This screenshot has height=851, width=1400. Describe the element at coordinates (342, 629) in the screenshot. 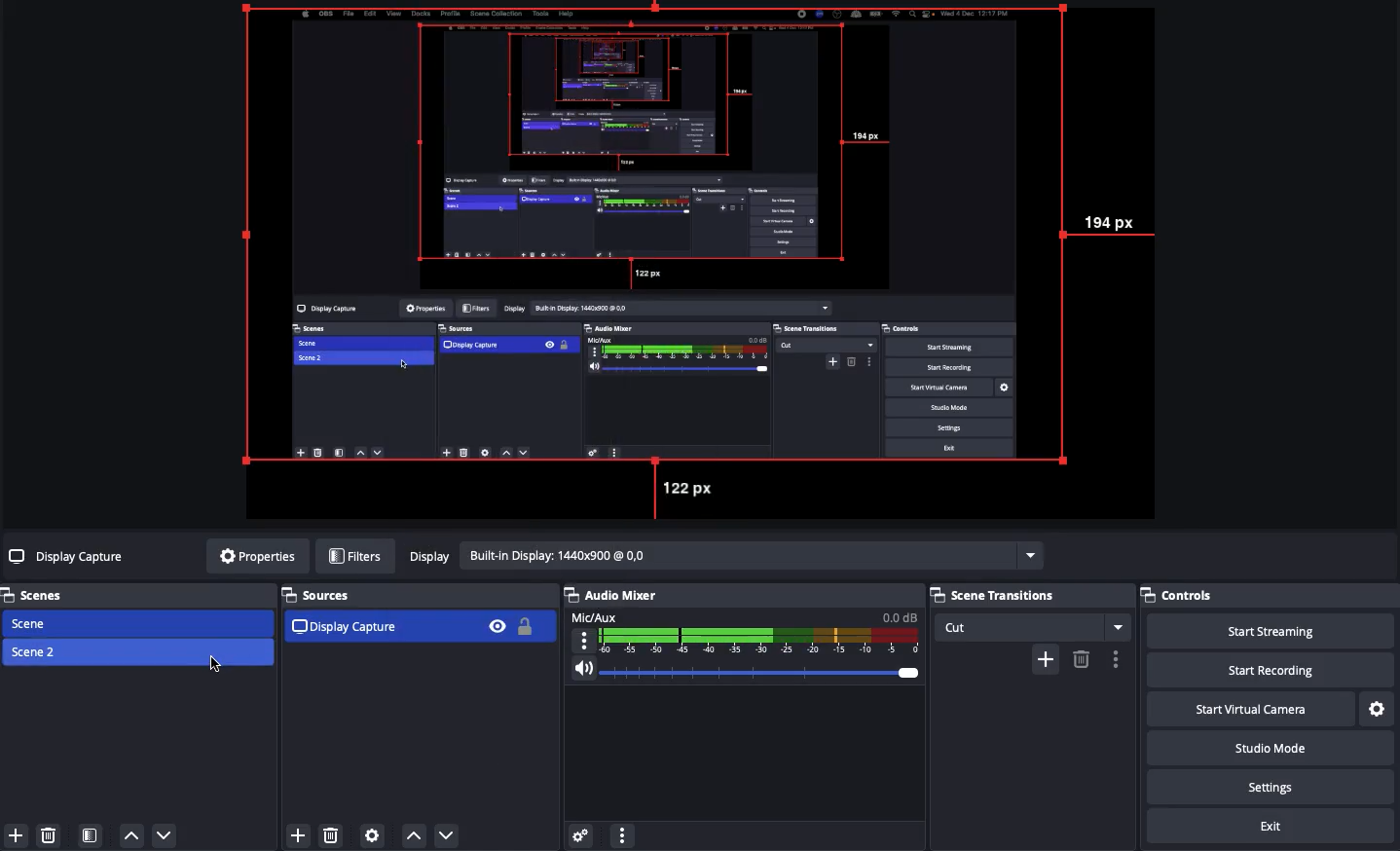

I see `Display capture` at that location.